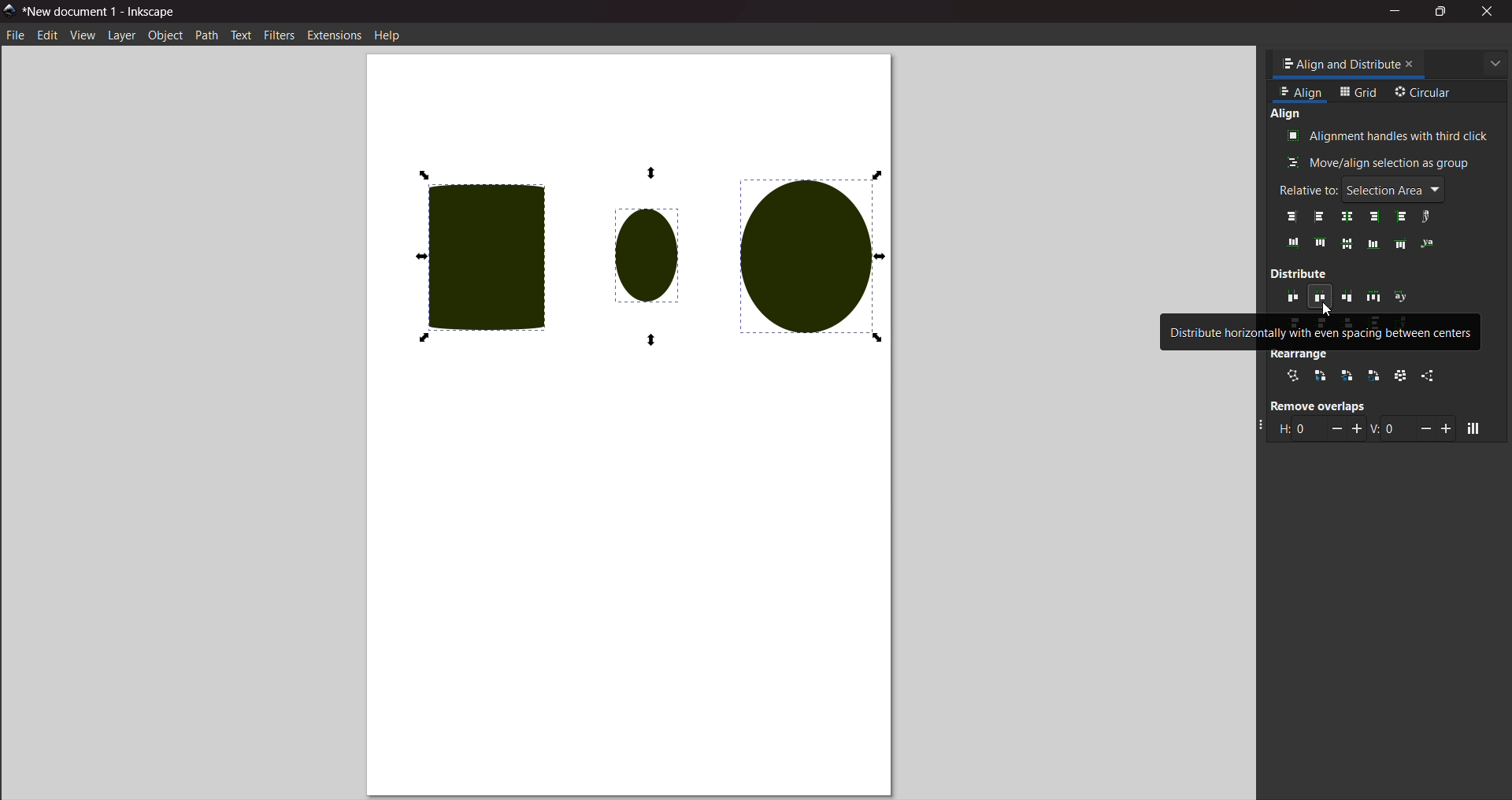  What do you see at coordinates (1299, 274) in the screenshot?
I see `distribute` at bounding box center [1299, 274].